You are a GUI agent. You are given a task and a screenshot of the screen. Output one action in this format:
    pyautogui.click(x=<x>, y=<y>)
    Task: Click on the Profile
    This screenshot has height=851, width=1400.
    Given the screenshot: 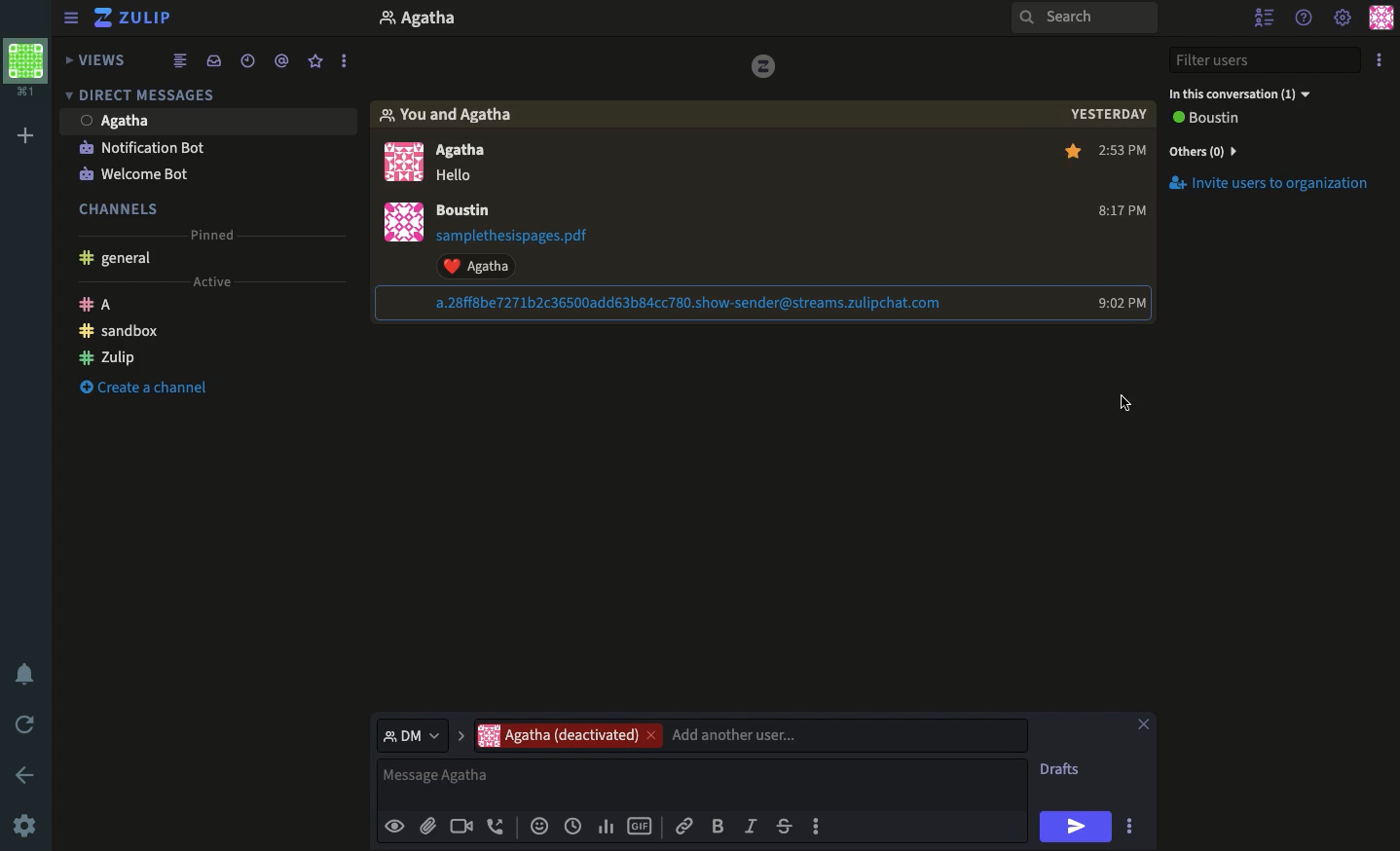 What is the action you would take?
    pyautogui.click(x=399, y=224)
    